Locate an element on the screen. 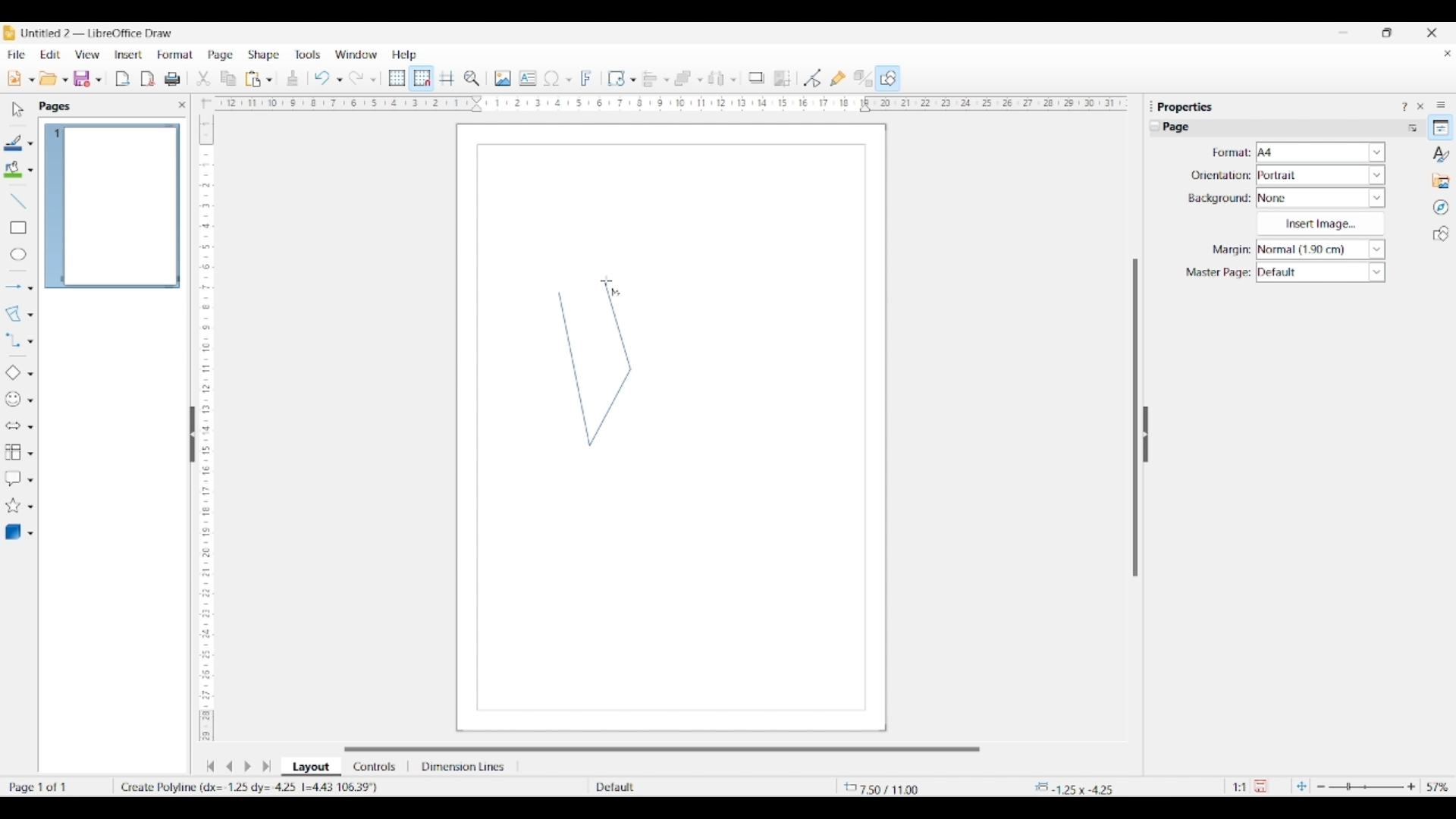  Selected copy options is located at coordinates (203, 79).